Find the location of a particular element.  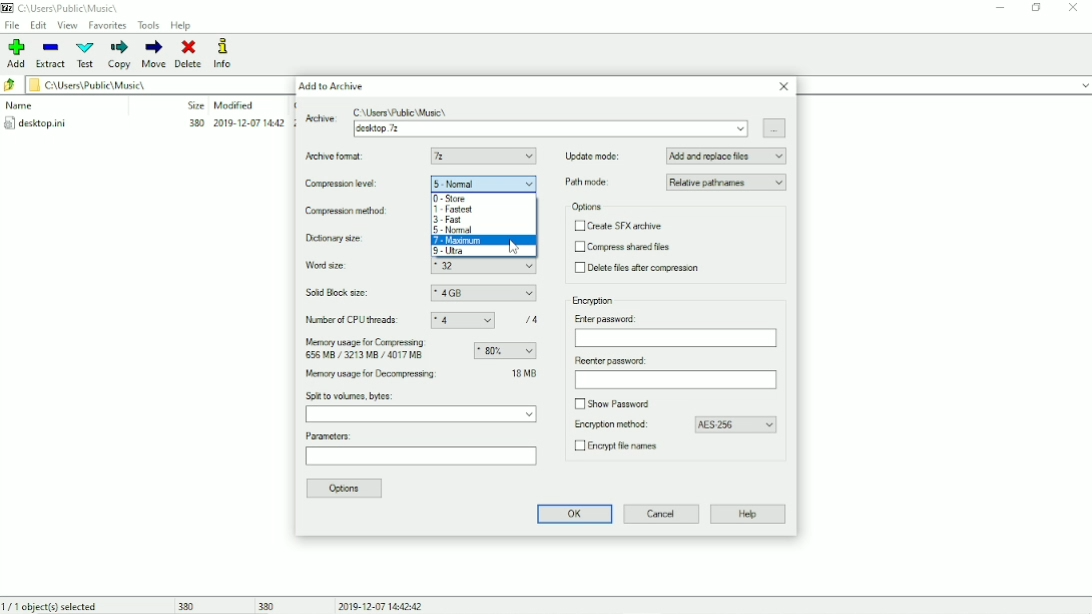

380 is located at coordinates (268, 605).